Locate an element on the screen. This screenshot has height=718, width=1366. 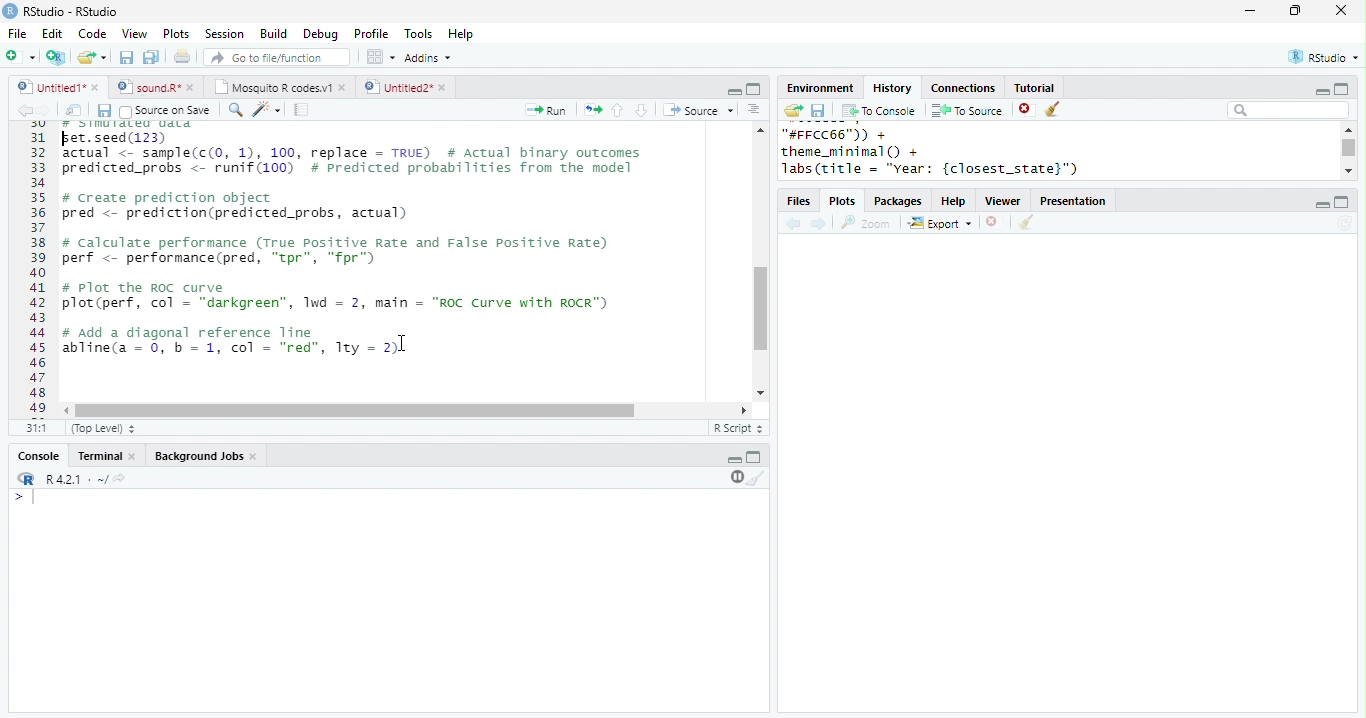
Top Level is located at coordinates (105, 428).